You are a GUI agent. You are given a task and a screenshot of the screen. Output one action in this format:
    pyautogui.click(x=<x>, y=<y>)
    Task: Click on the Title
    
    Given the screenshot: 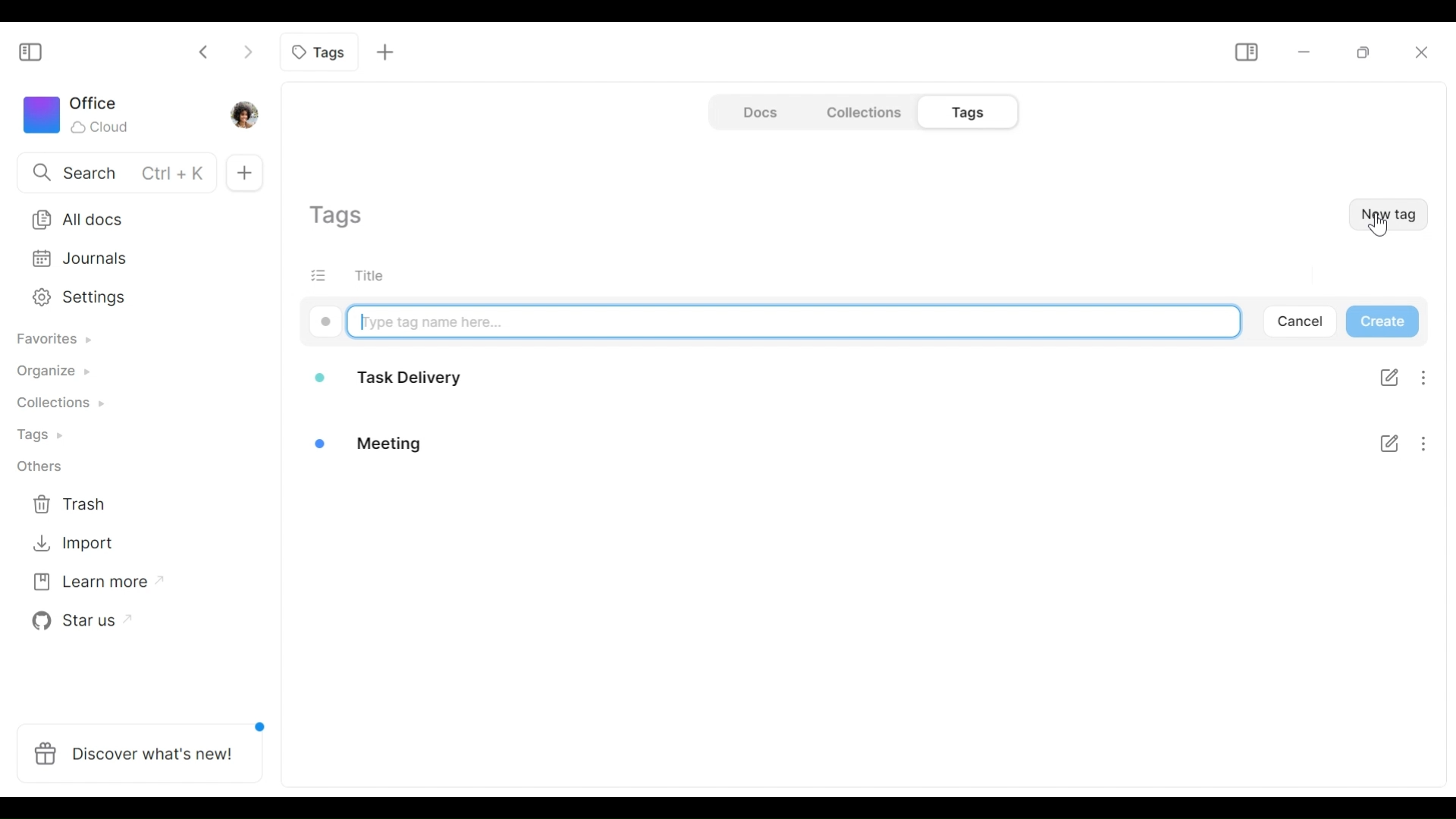 What is the action you would take?
    pyautogui.click(x=380, y=275)
    